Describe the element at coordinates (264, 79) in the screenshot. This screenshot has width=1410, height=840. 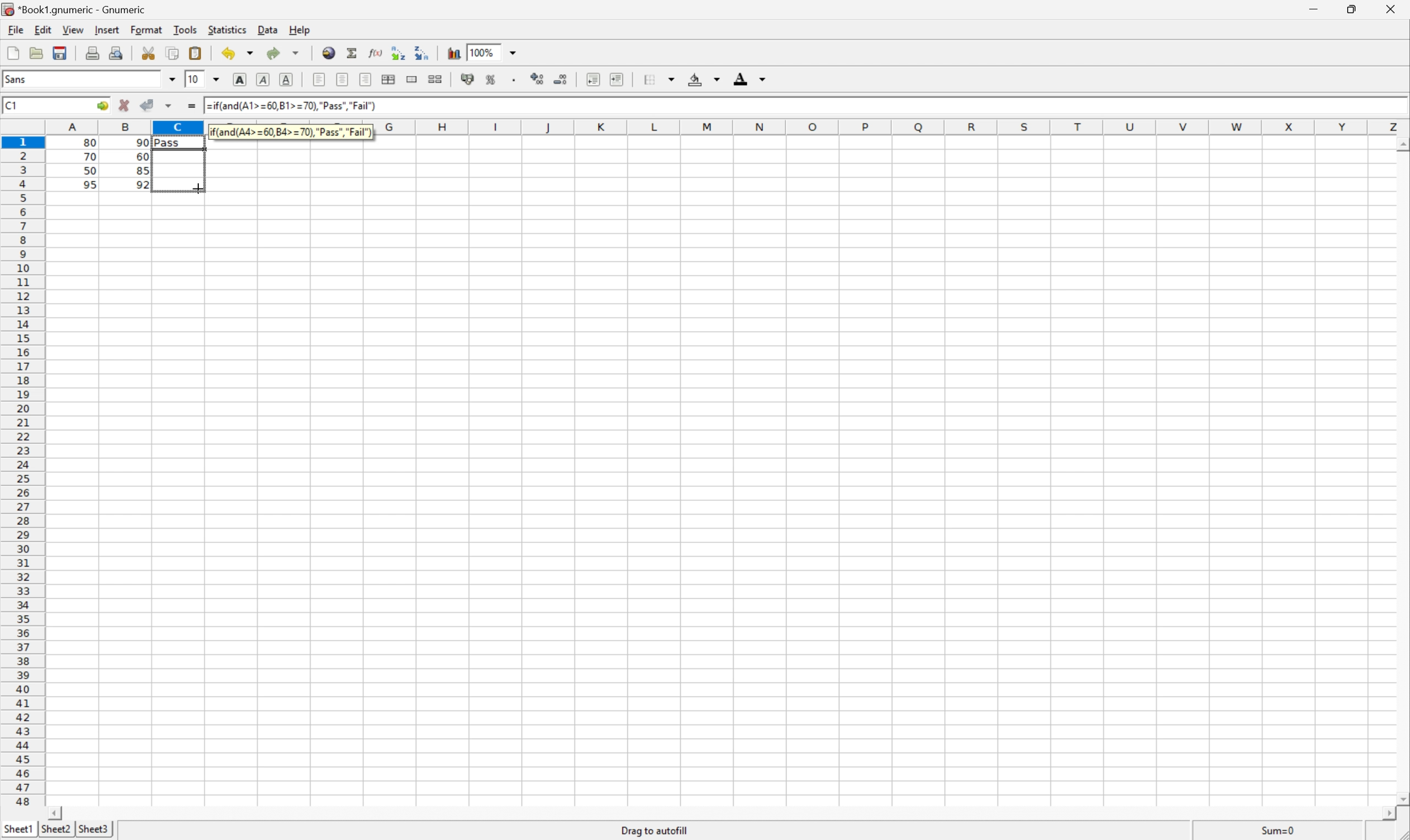
I see `Italic` at that location.